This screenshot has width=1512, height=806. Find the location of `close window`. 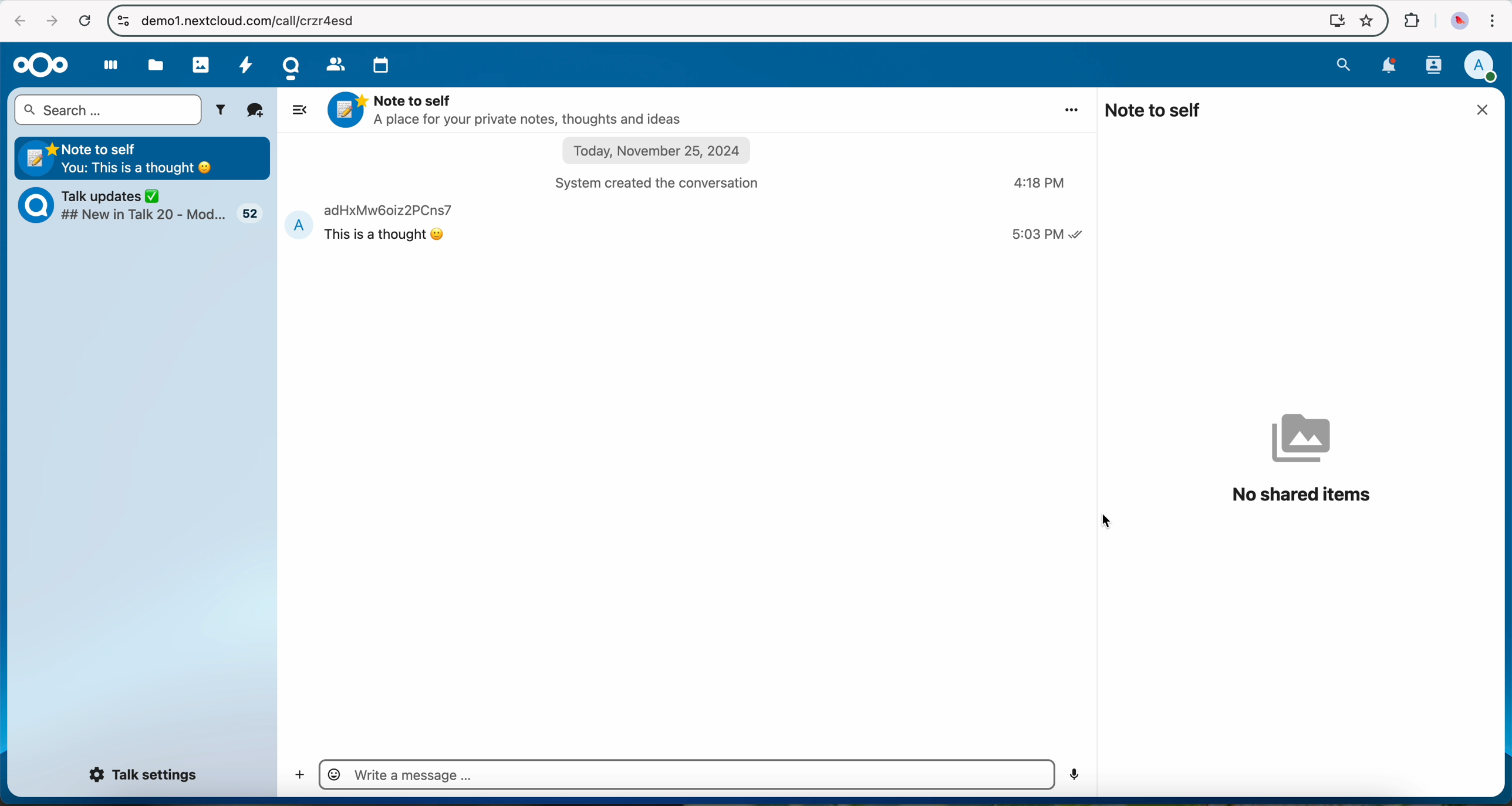

close window is located at coordinates (1486, 110).